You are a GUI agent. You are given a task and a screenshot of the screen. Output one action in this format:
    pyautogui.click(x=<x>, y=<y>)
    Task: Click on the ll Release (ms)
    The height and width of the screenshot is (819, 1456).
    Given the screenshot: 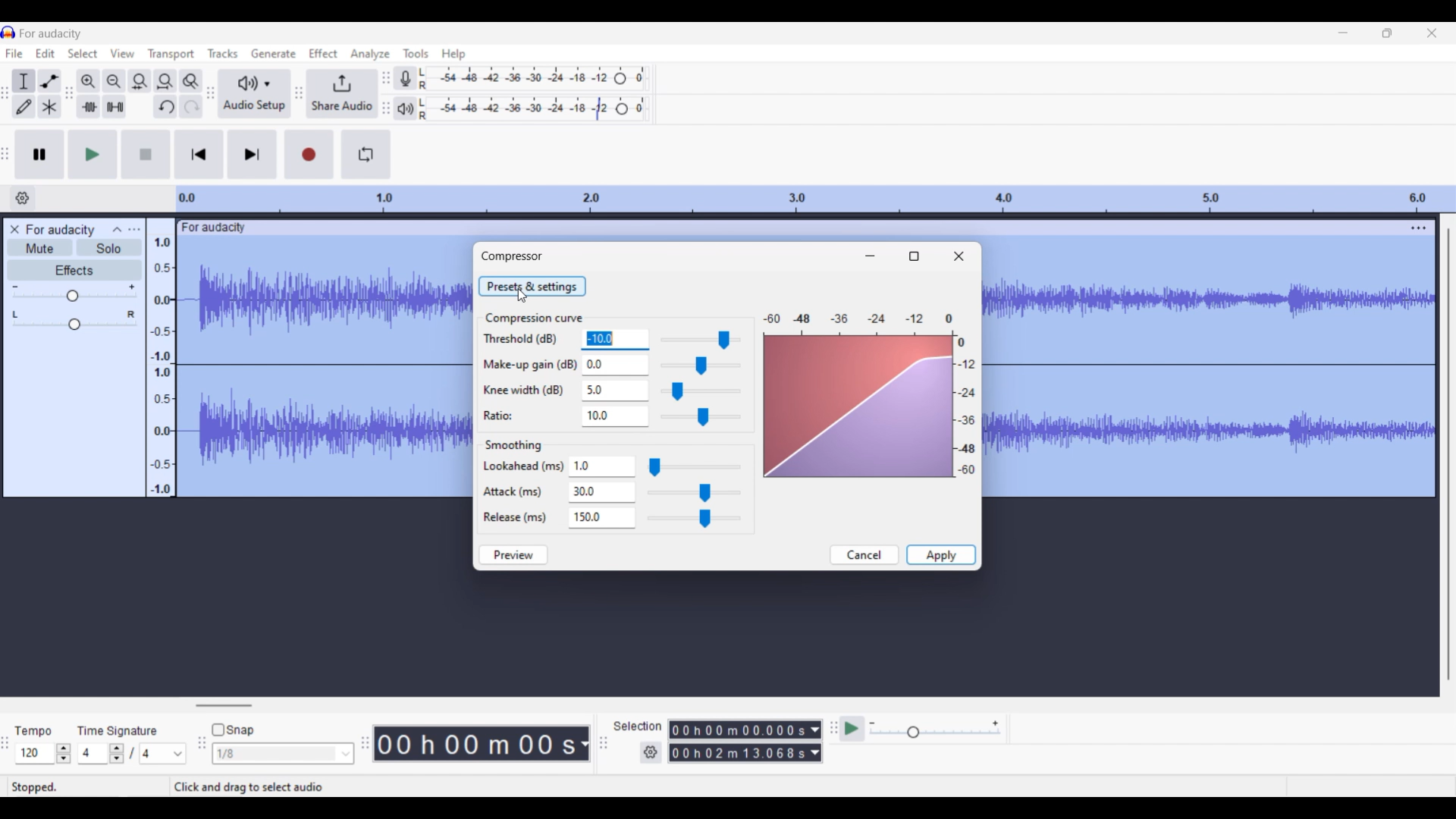 What is the action you would take?
    pyautogui.click(x=513, y=519)
    